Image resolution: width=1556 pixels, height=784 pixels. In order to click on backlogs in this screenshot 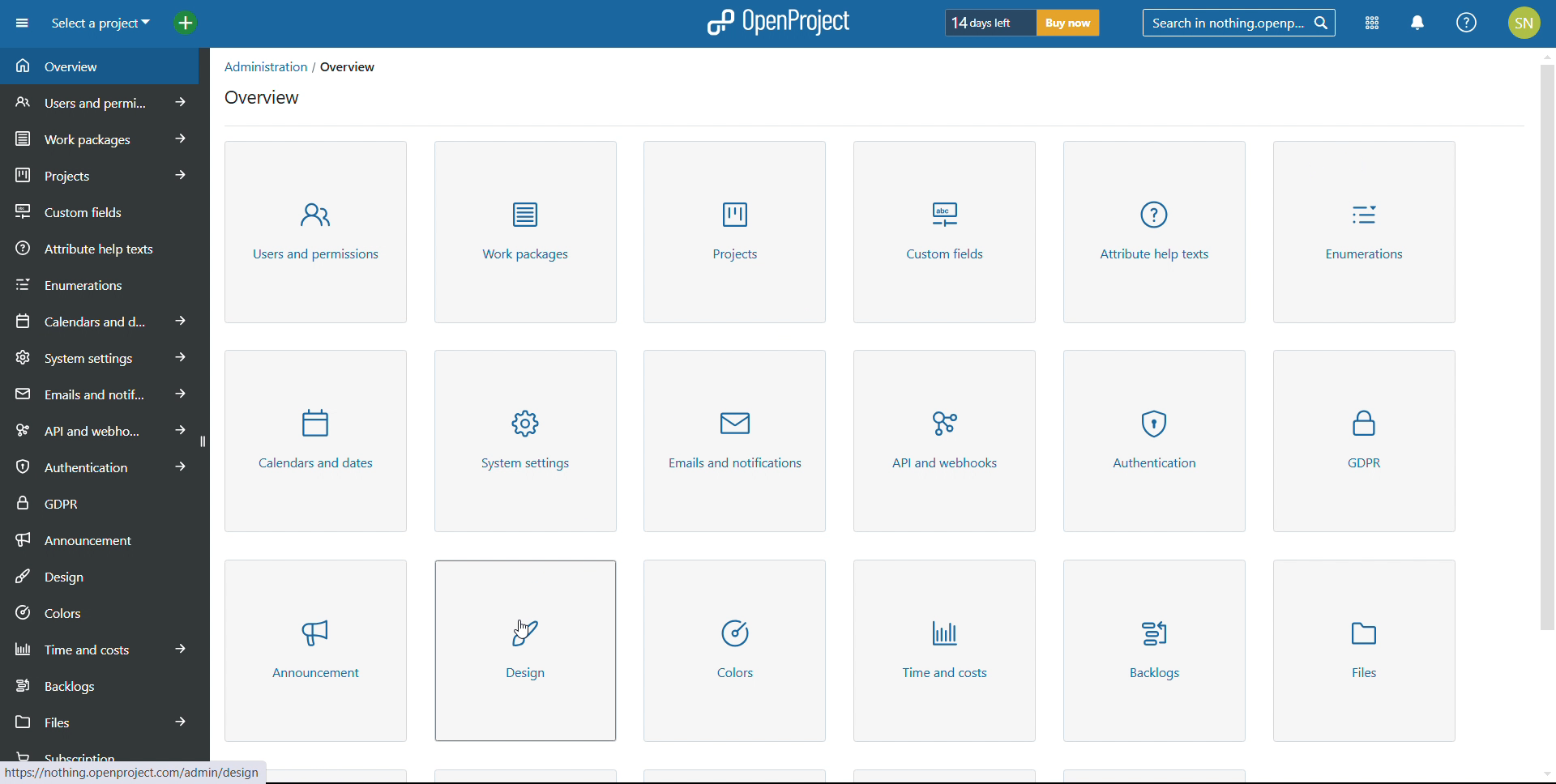, I will do `click(1152, 650)`.